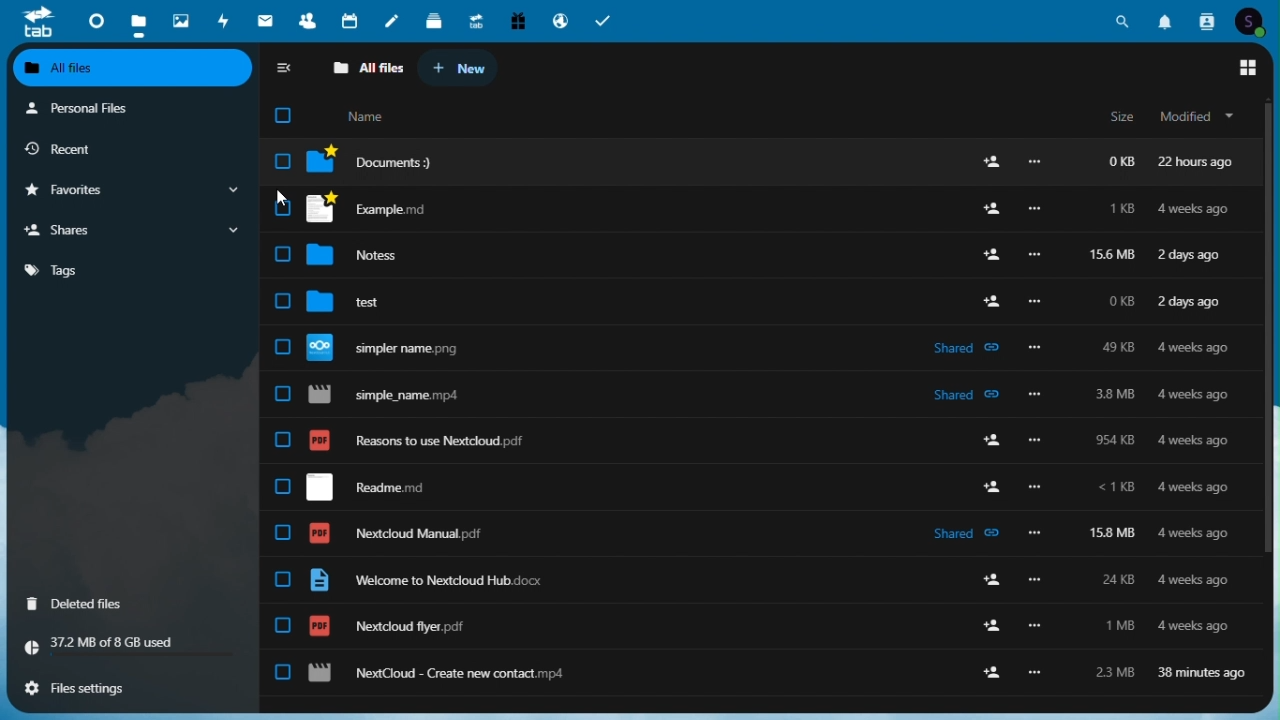  Describe the element at coordinates (365, 256) in the screenshot. I see `notess` at that location.